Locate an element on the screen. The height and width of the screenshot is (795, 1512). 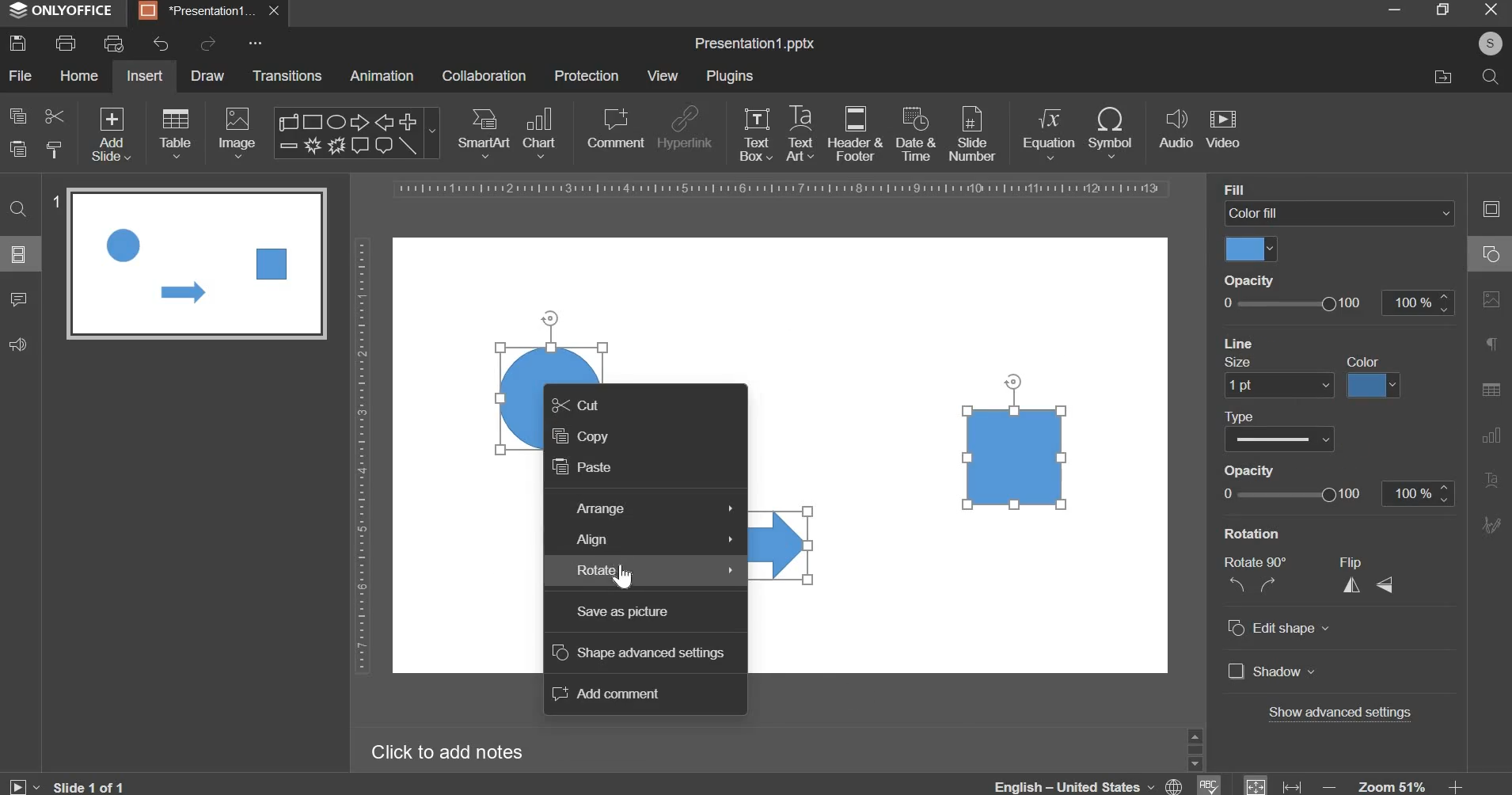
cut is located at coordinates (578, 407).